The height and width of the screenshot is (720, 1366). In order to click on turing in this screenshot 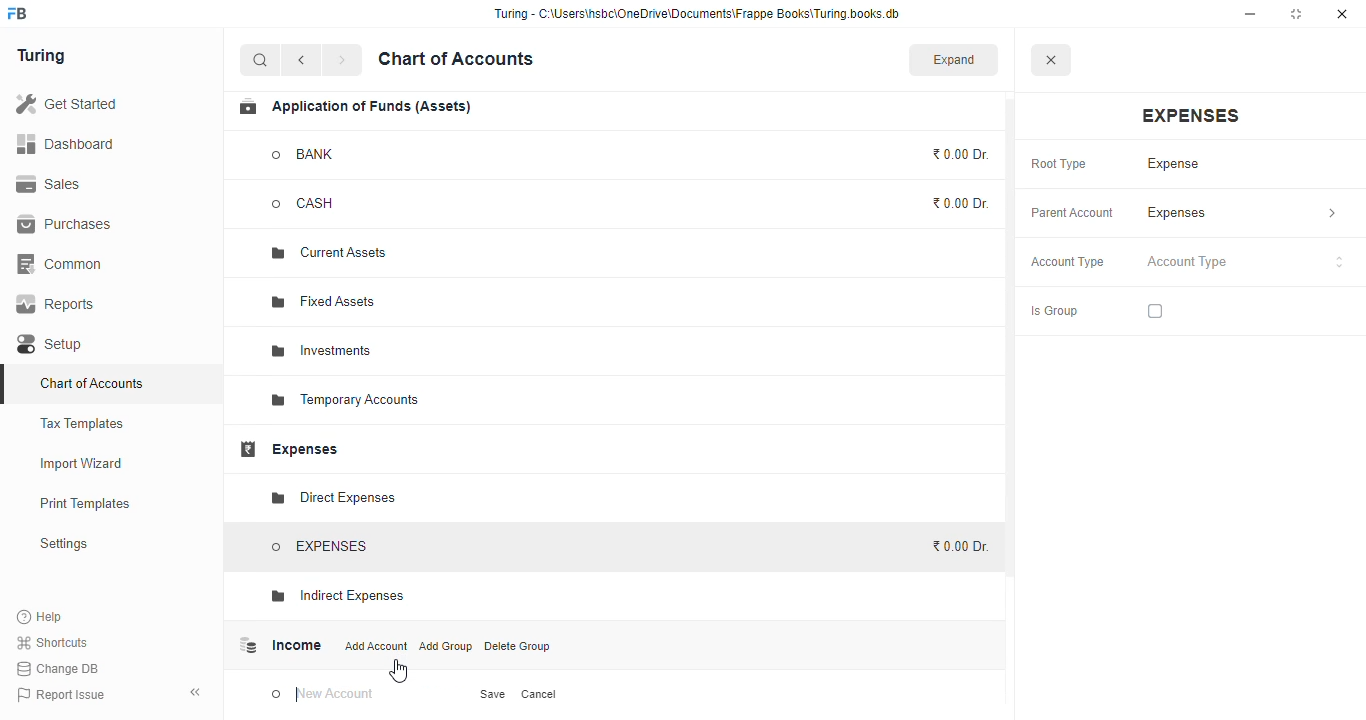, I will do `click(40, 56)`.